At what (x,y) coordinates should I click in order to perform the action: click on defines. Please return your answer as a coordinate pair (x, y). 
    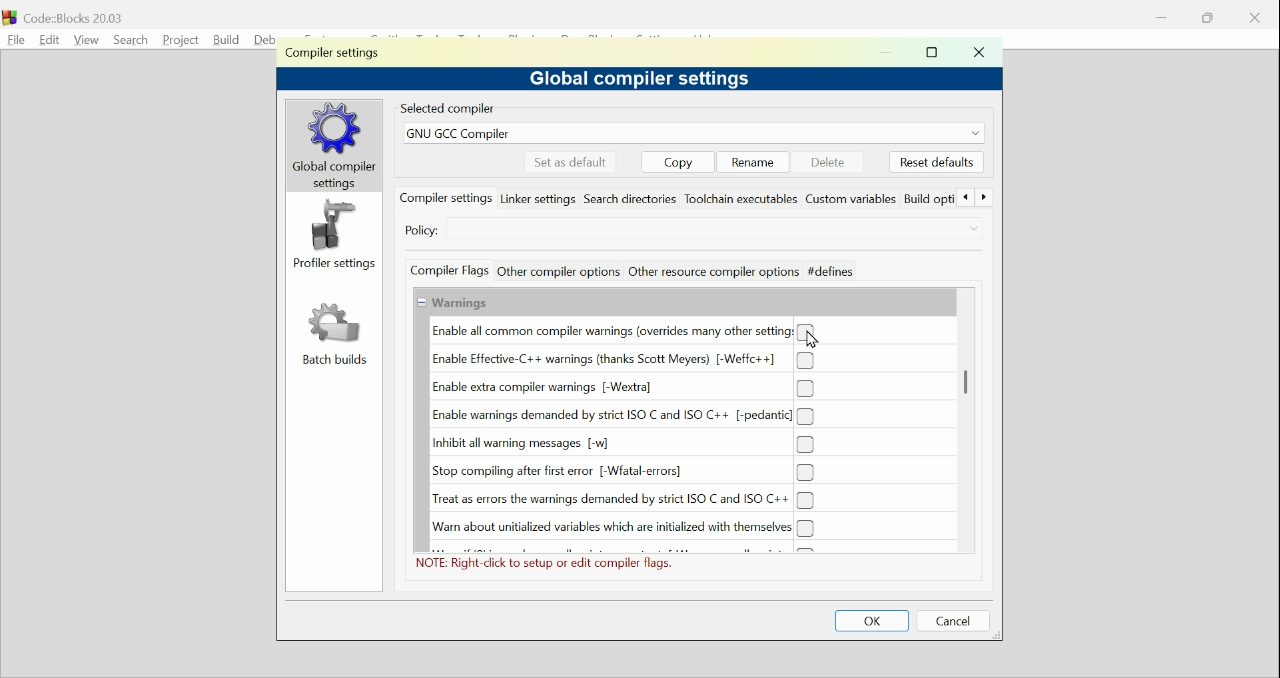
    Looking at the image, I should click on (830, 271).